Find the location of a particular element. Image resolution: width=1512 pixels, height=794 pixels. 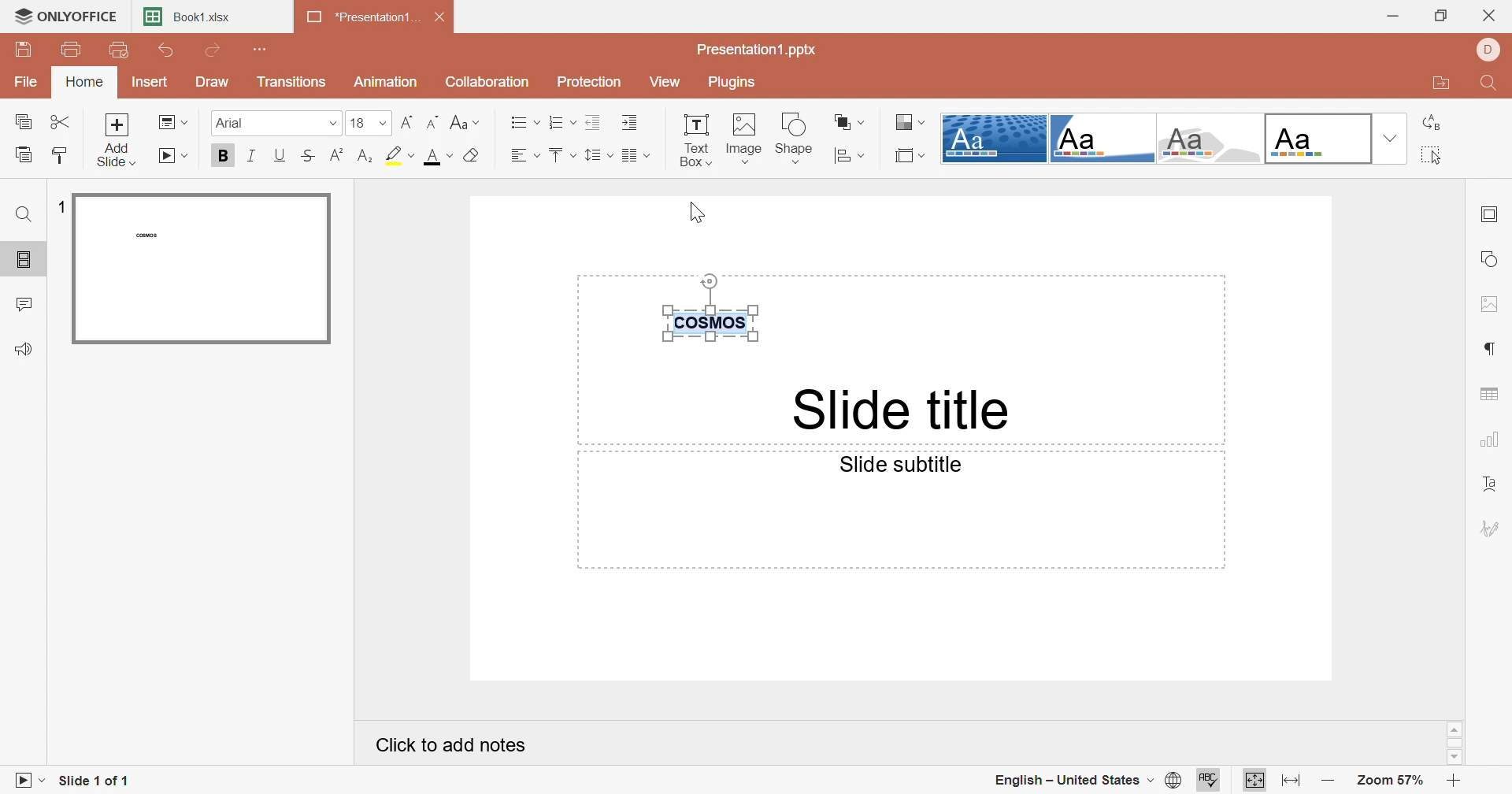

Align shape is located at coordinates (850, 156).